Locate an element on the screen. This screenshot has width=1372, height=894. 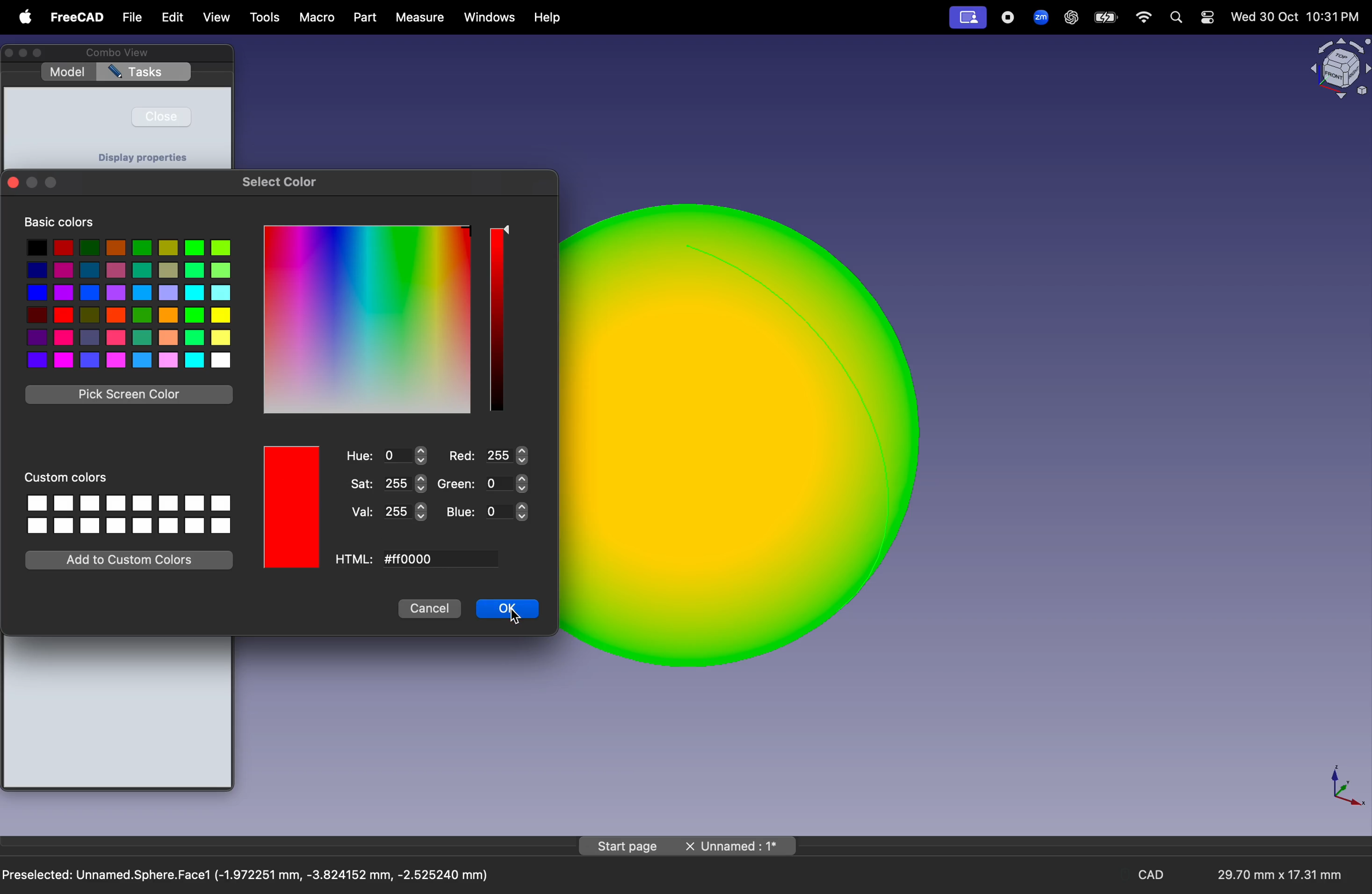
hue is located at coordinates (387, 456).